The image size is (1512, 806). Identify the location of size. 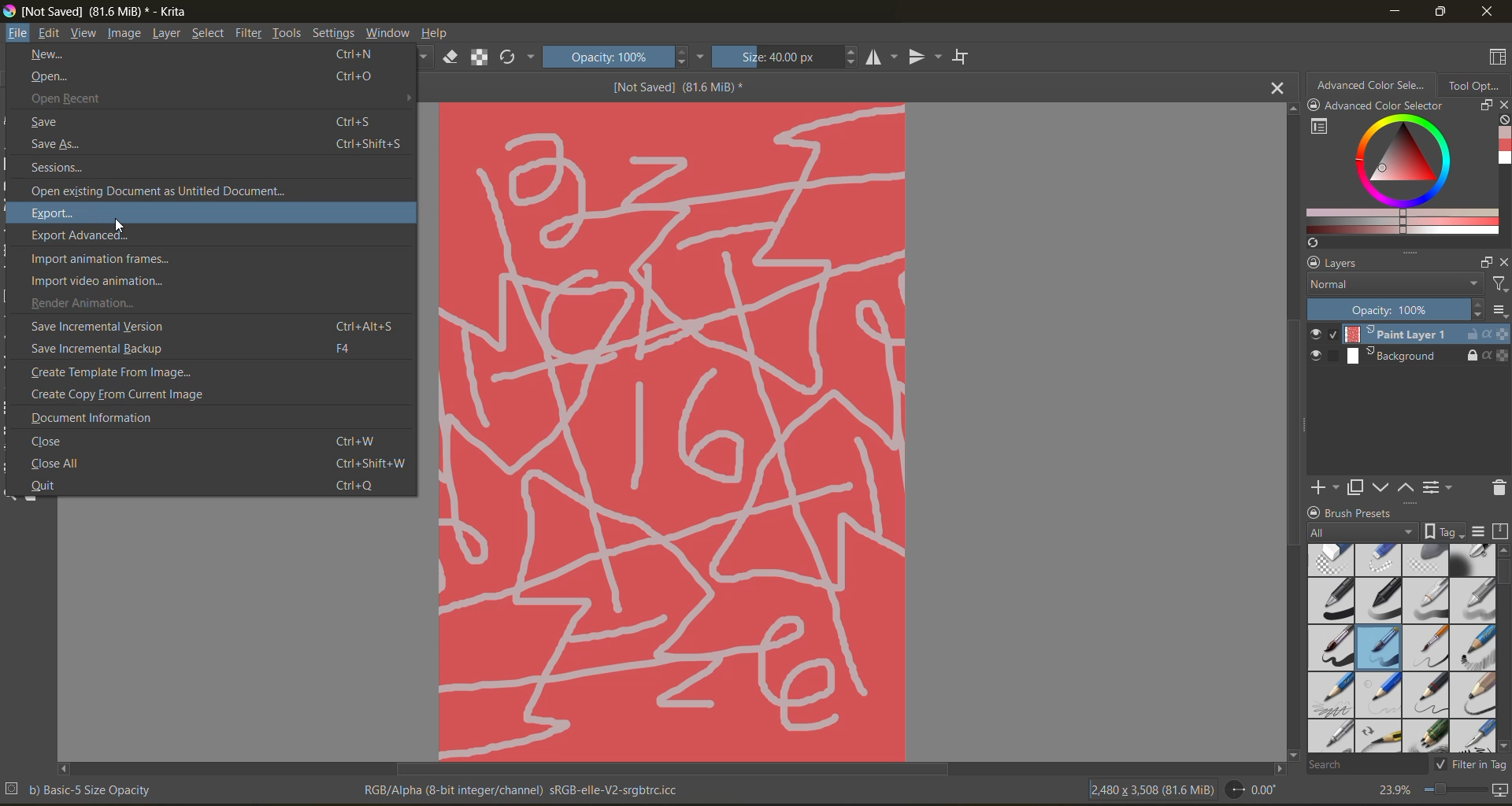
(784, 57).